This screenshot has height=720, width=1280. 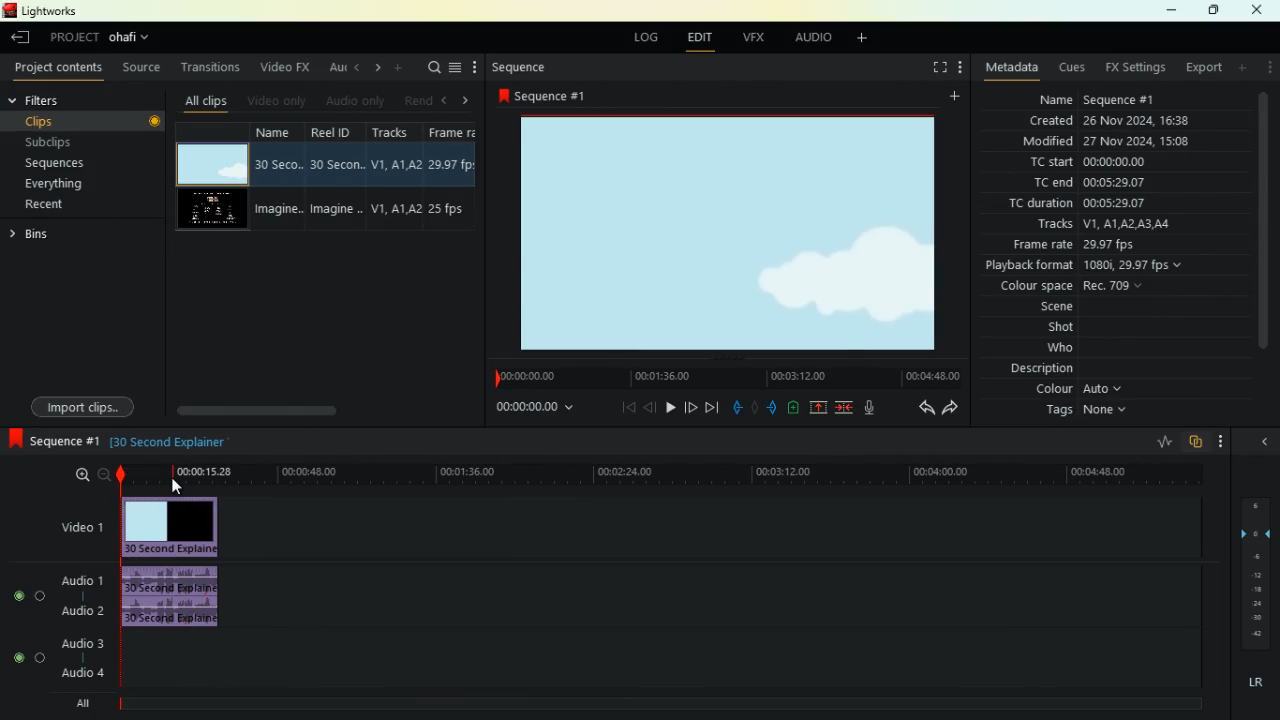 I want to click on end, so click(x=714, y=407).